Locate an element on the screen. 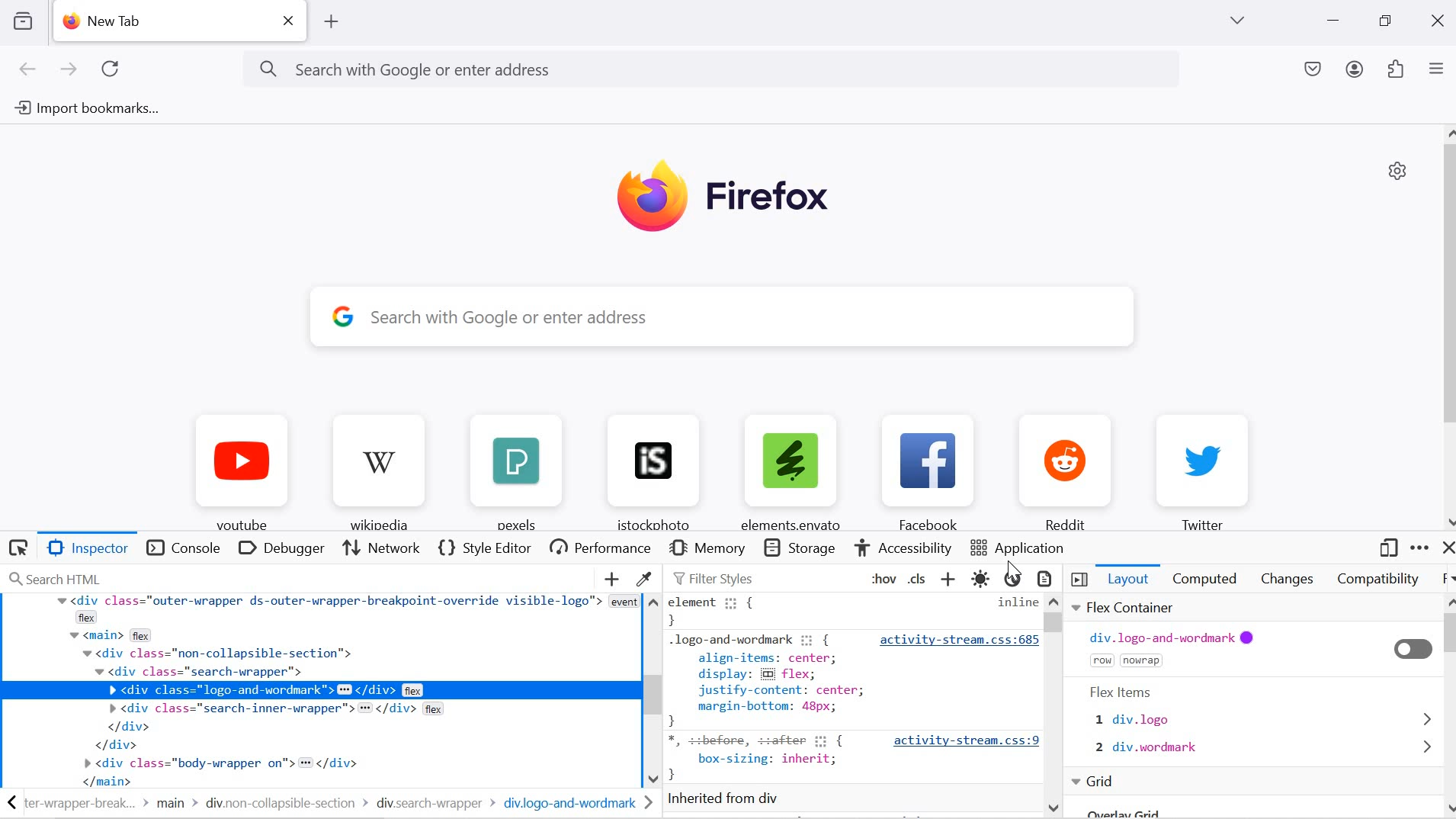  search bar is located at coordinates (750, 320).